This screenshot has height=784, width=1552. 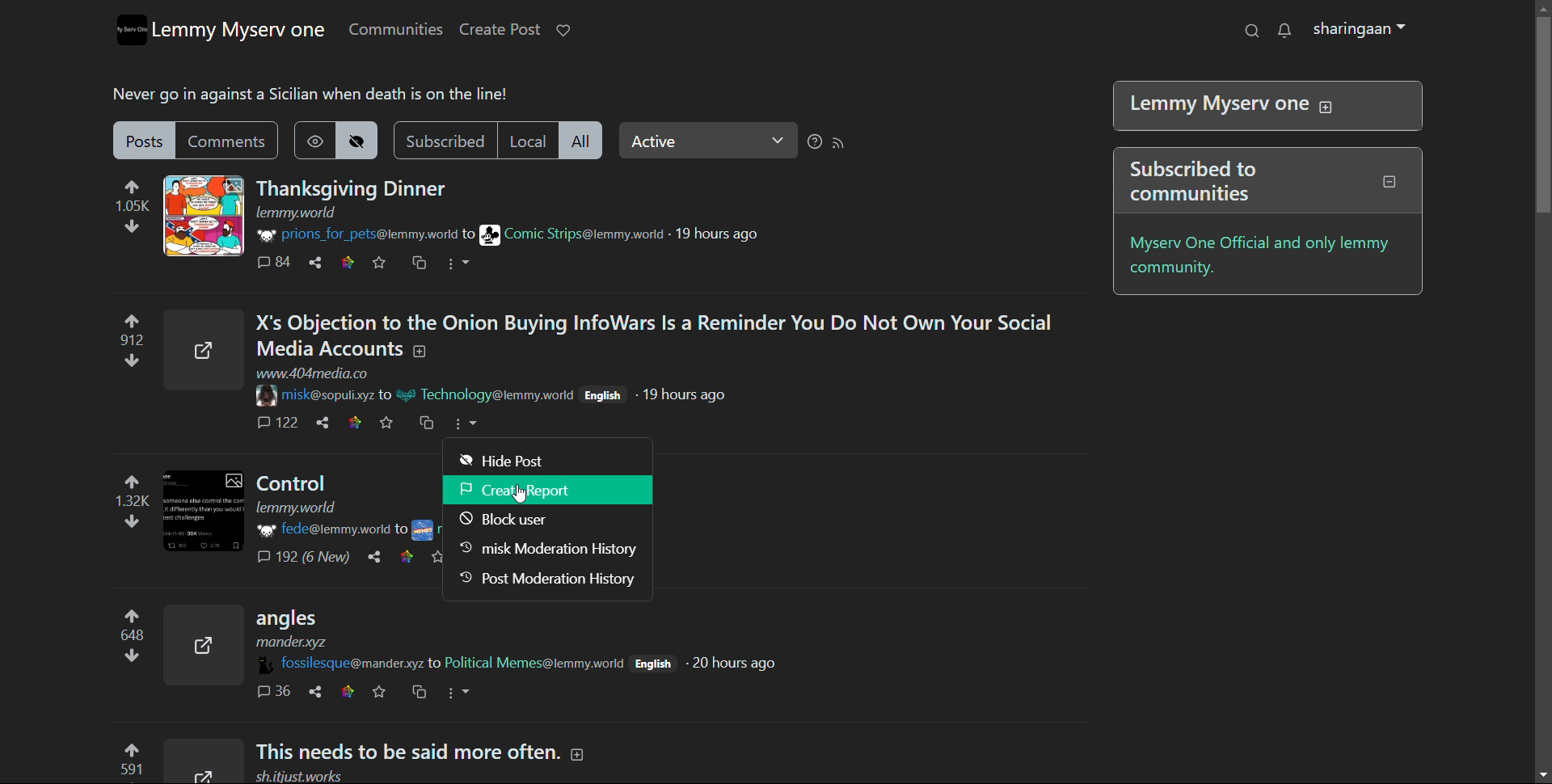 What do you see at coordinates (353, 189) in the screenshot?
I see `post on "Thanksgiving Dinner"` at bounding box center [353, 189].